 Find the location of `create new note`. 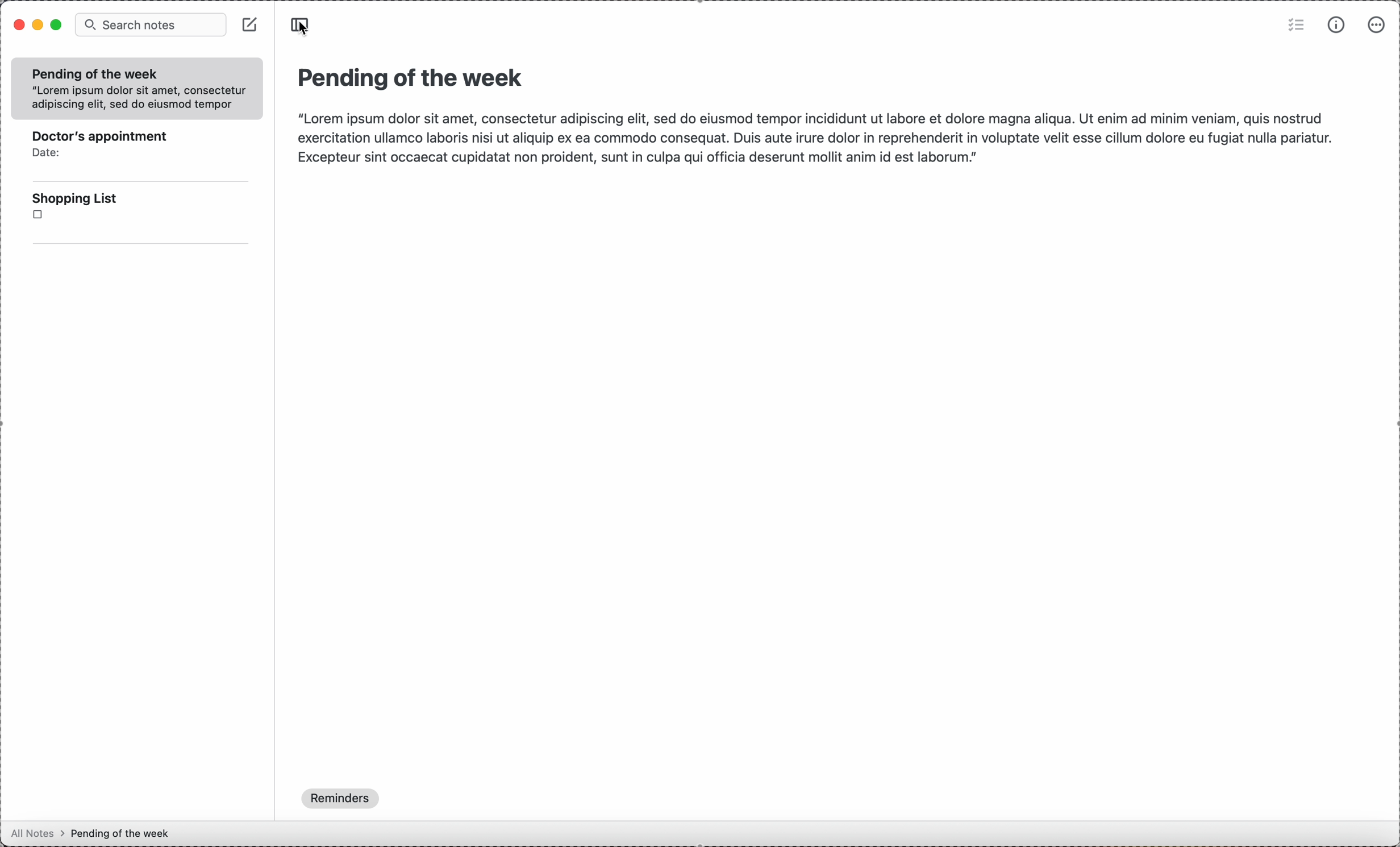

create new note is located at coordinates (250, 26).